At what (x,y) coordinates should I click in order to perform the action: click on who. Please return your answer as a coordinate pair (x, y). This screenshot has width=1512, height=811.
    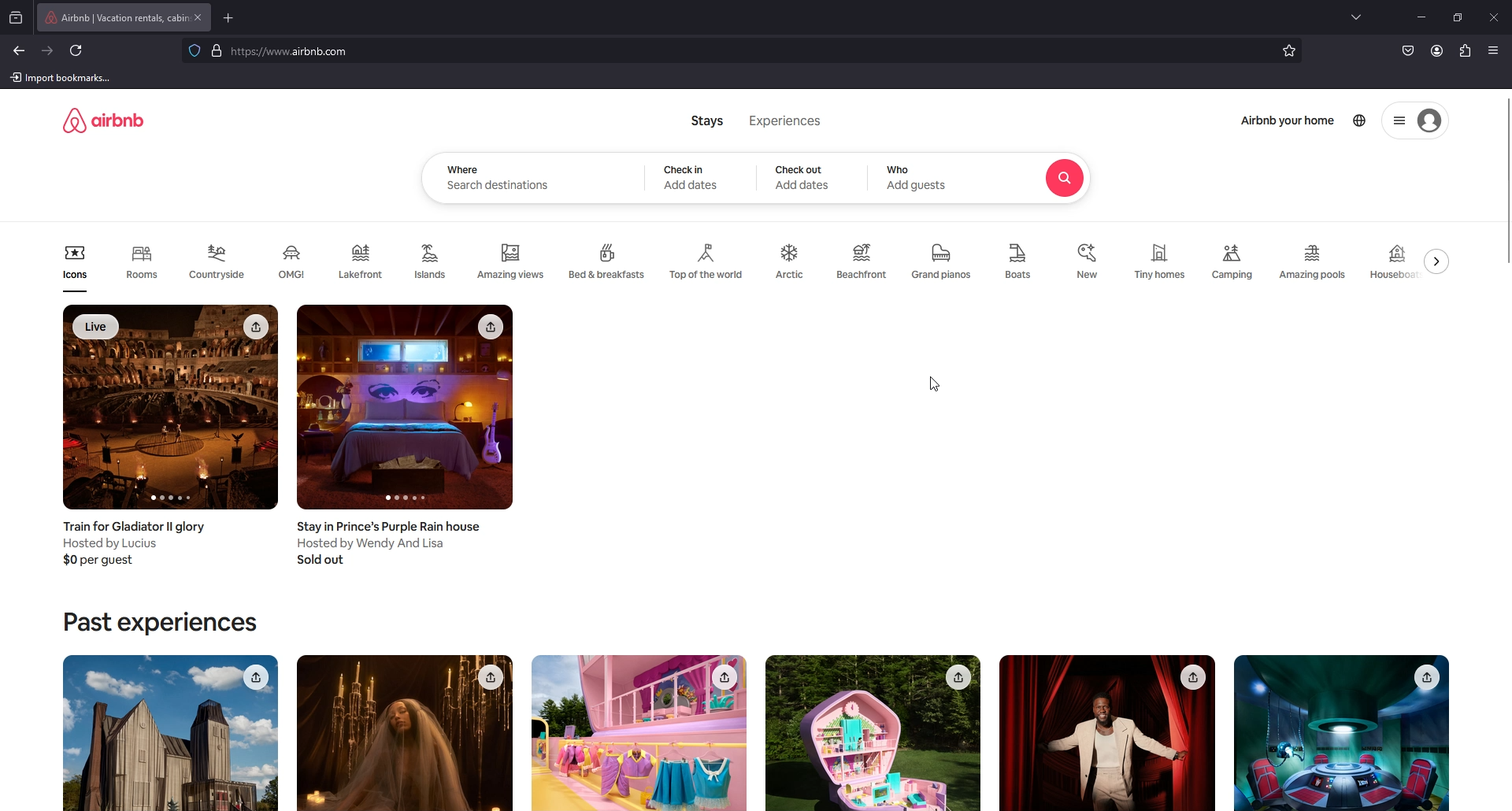
    Looking at the image, I should click on (901, 170).